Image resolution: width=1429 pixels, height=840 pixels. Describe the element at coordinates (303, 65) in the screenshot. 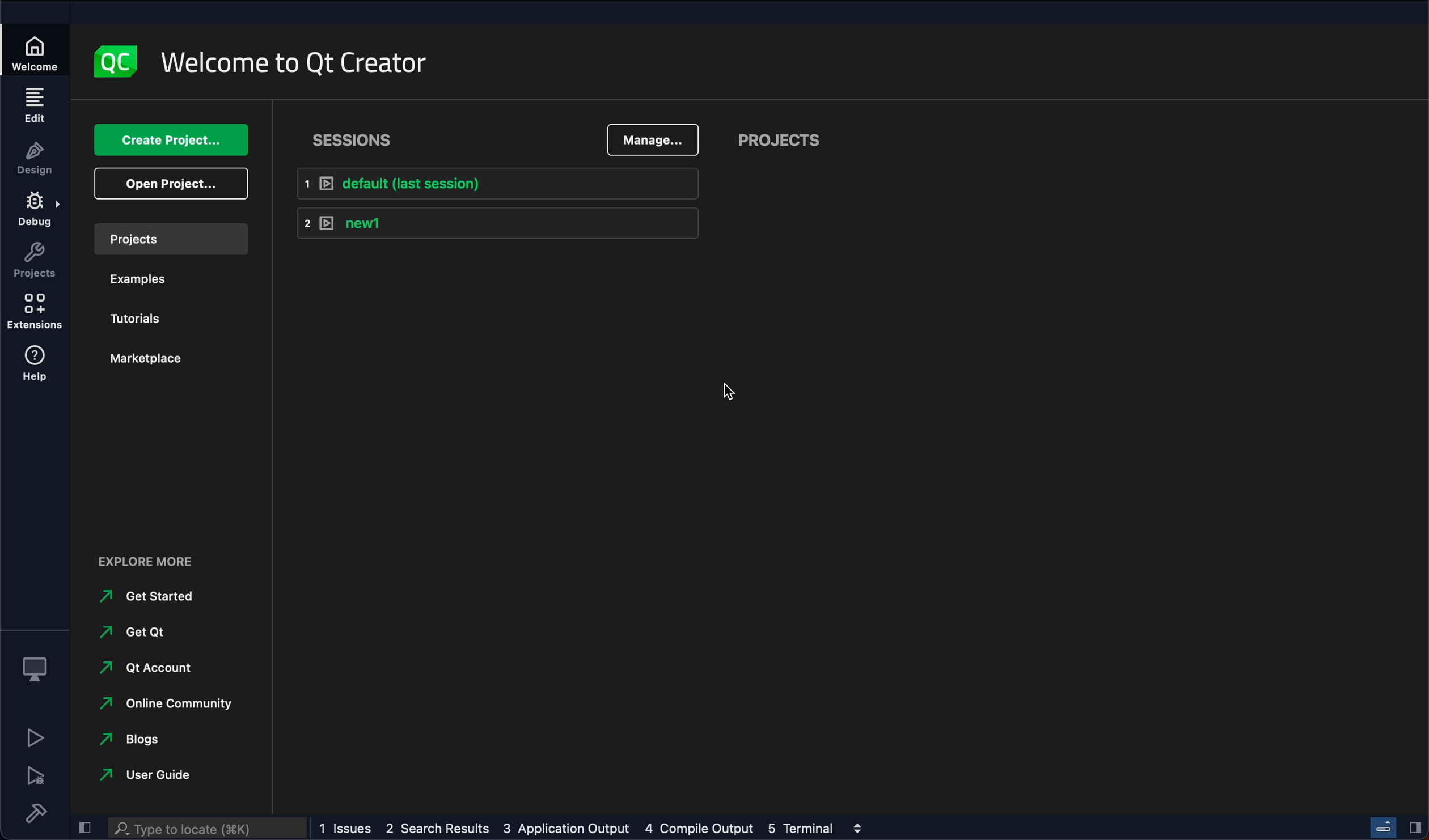

I see `welcome to Qt` at that location.